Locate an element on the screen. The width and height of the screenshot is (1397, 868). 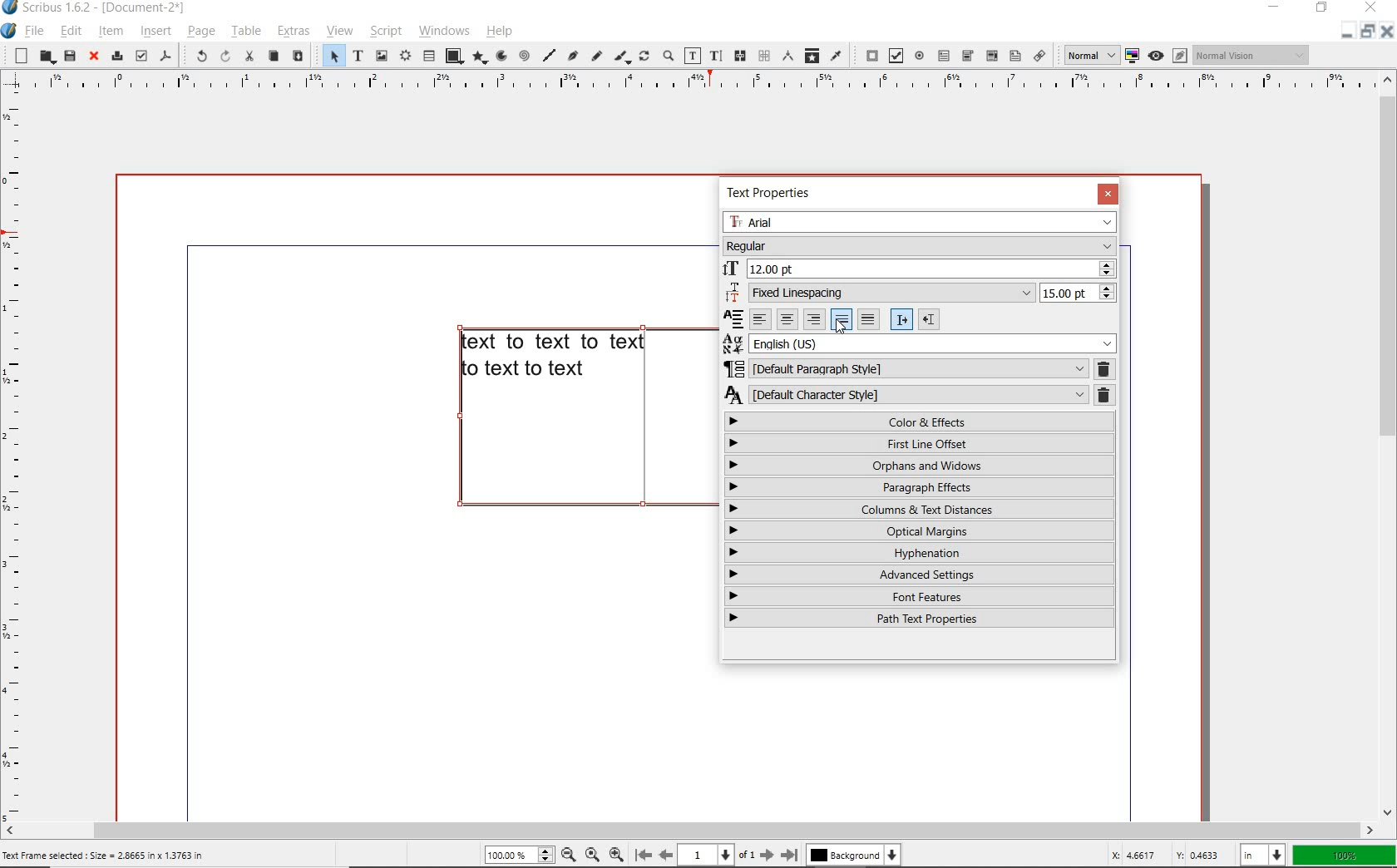
arc is located at coordinates (499, 57).